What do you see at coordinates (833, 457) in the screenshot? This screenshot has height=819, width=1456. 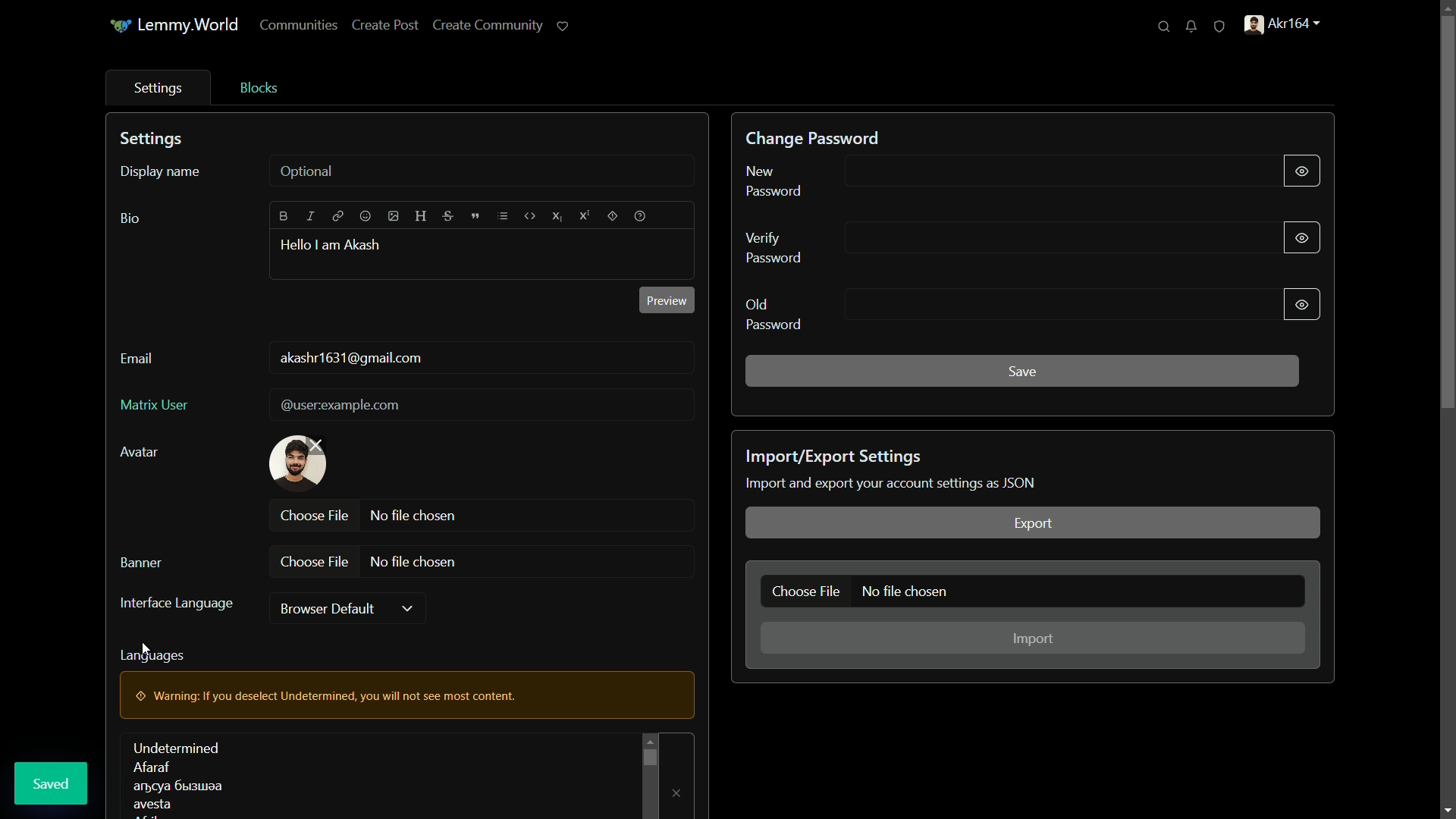 I see `import/export settings` at bounding box center [833, 457].